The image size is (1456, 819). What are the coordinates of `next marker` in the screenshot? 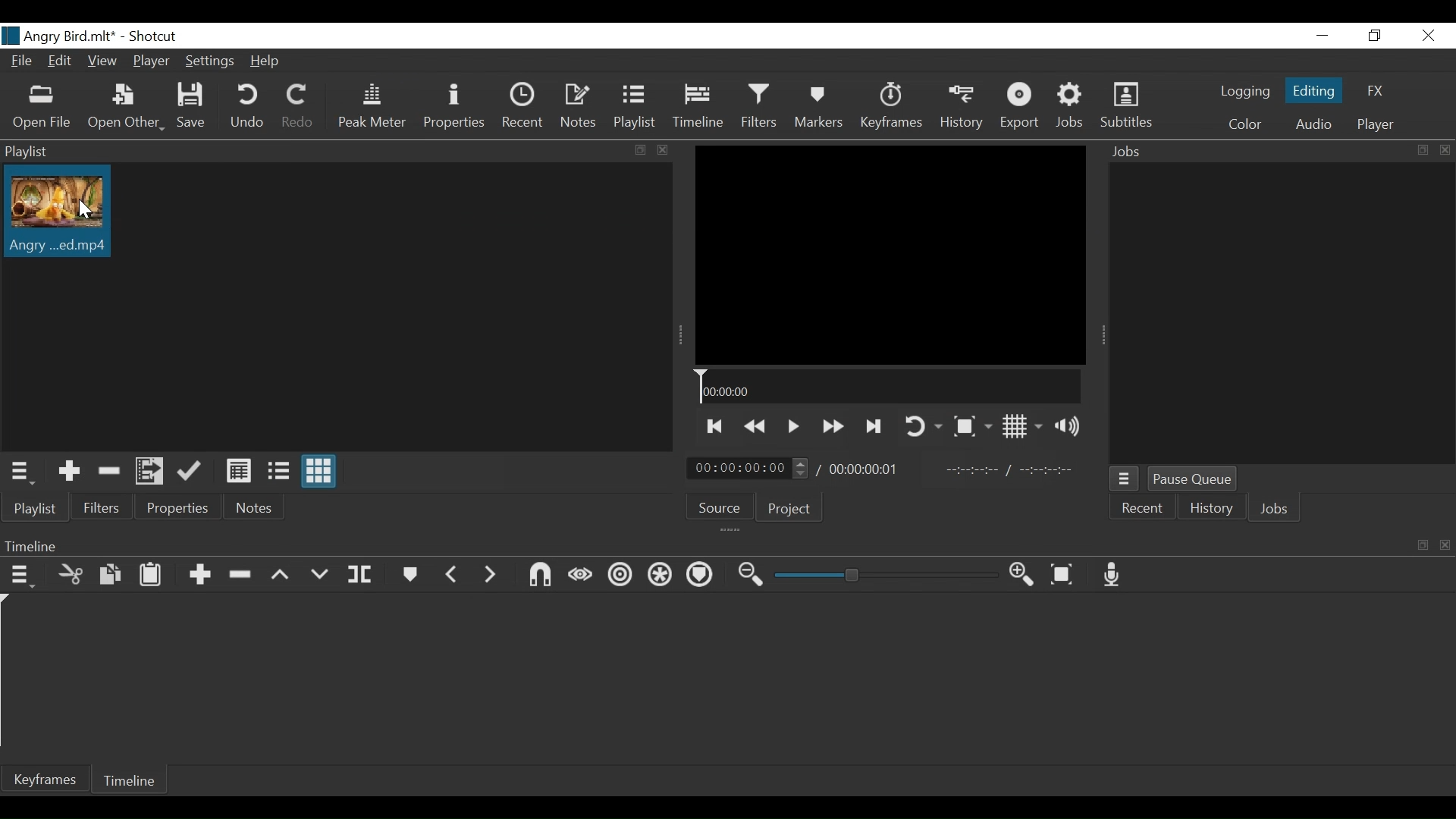 It's located at (490, 574).